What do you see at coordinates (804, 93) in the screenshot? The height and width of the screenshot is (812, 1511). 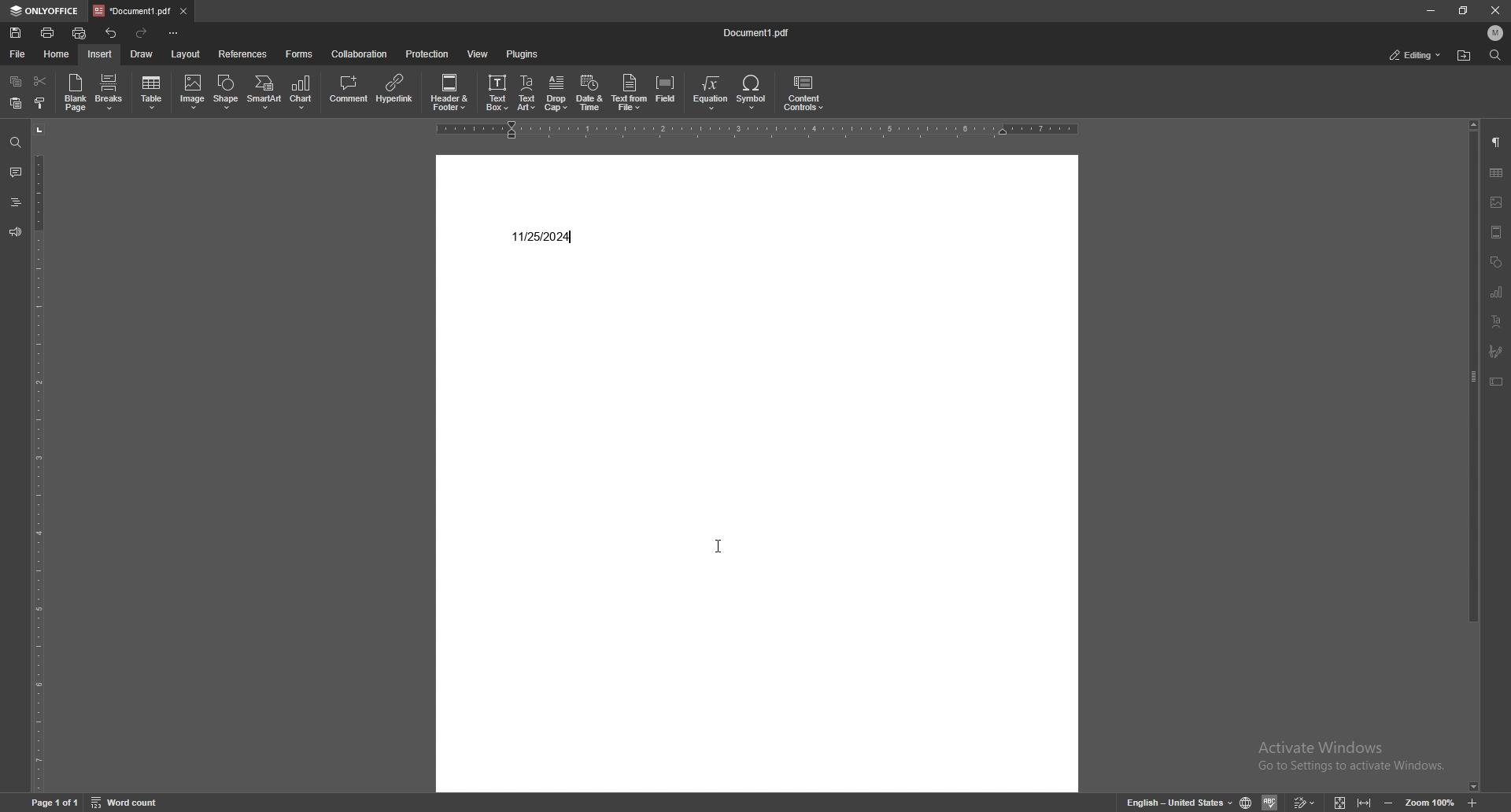 I see `content controls` at bounding box center [804, 93].